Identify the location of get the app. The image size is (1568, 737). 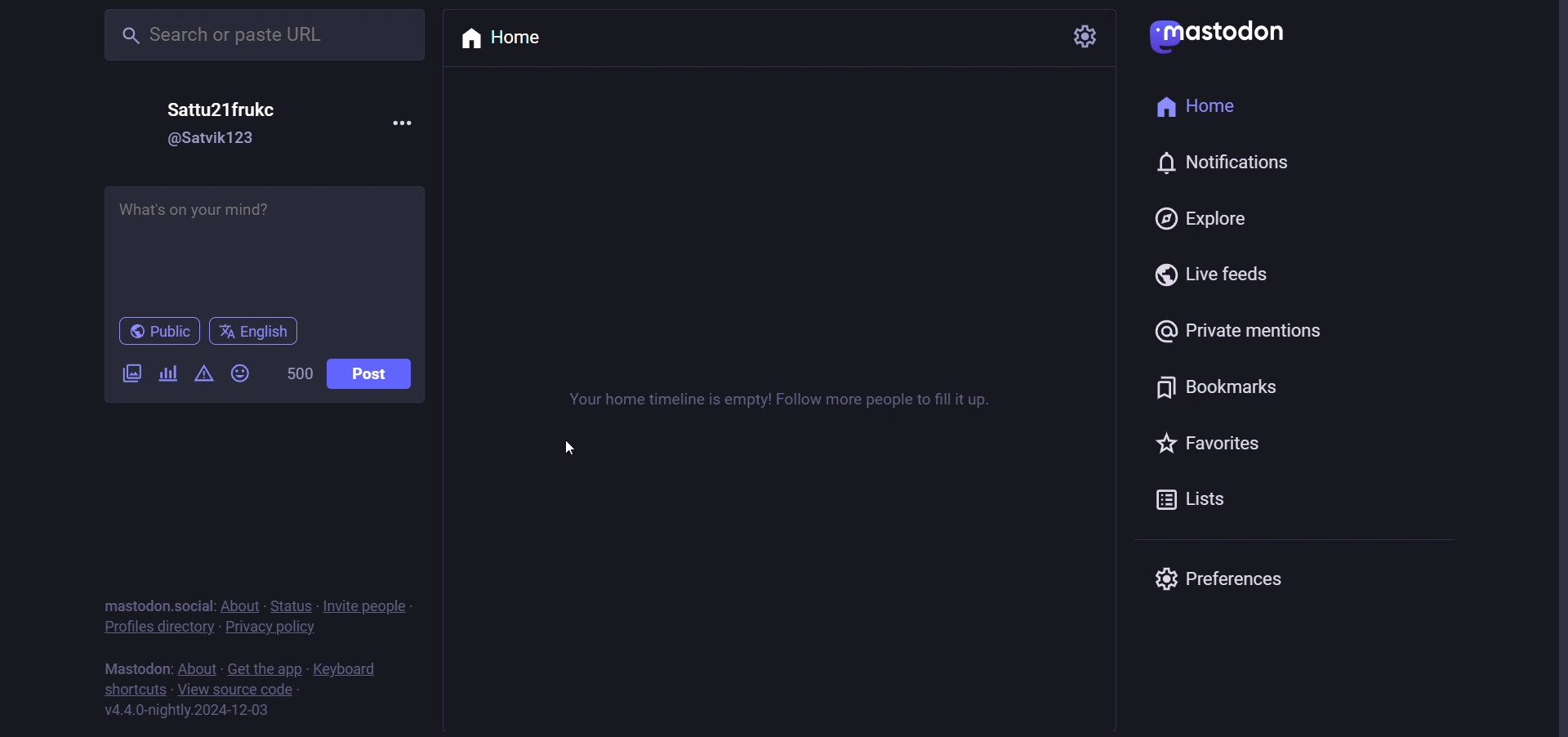
(267, 670).